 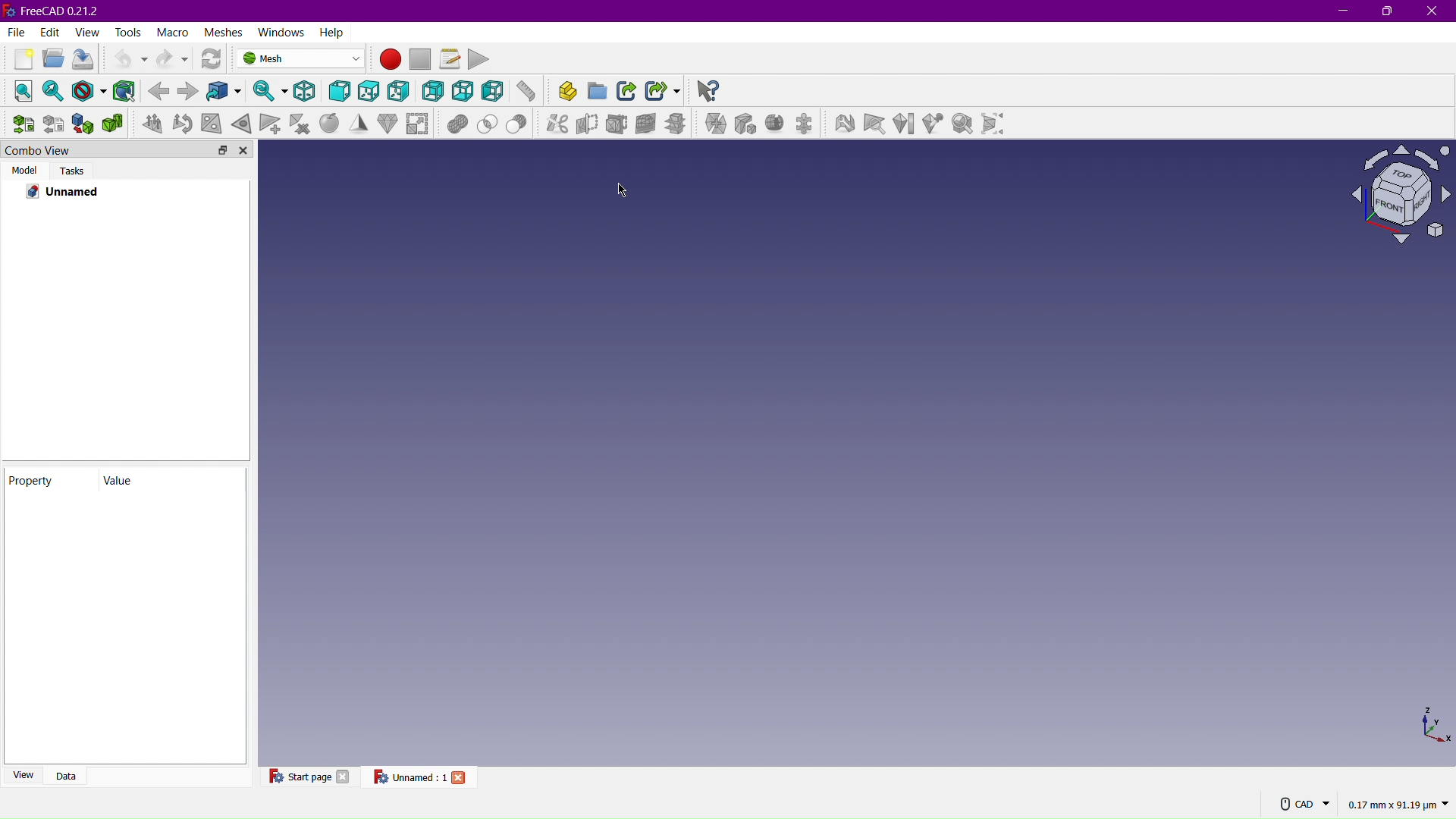 What do you see at coordinates (1341, 11) in the screenshot?
I see `Minimize` at bounding box center [1341, 11].